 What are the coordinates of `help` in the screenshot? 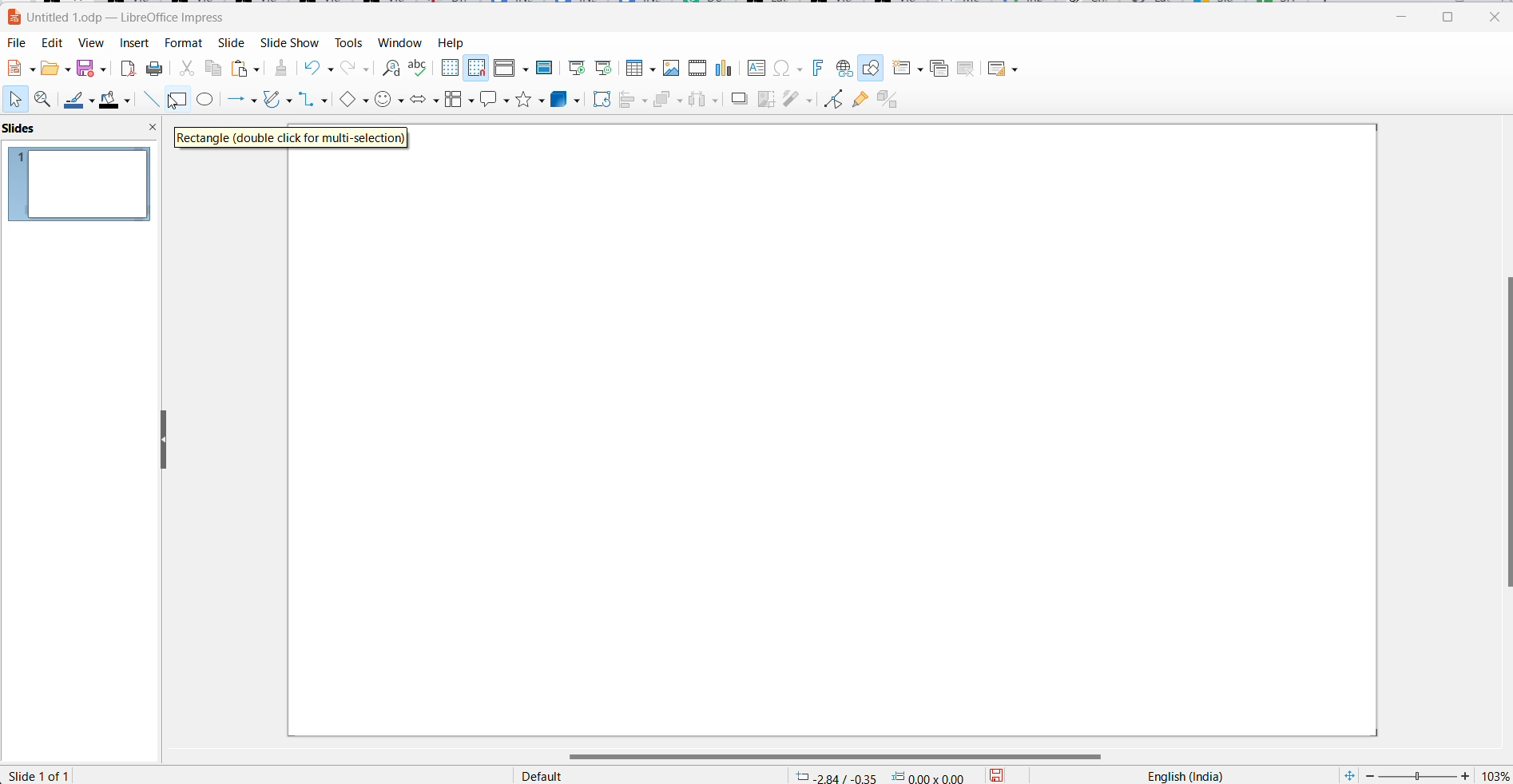 It's located at (451, 42).